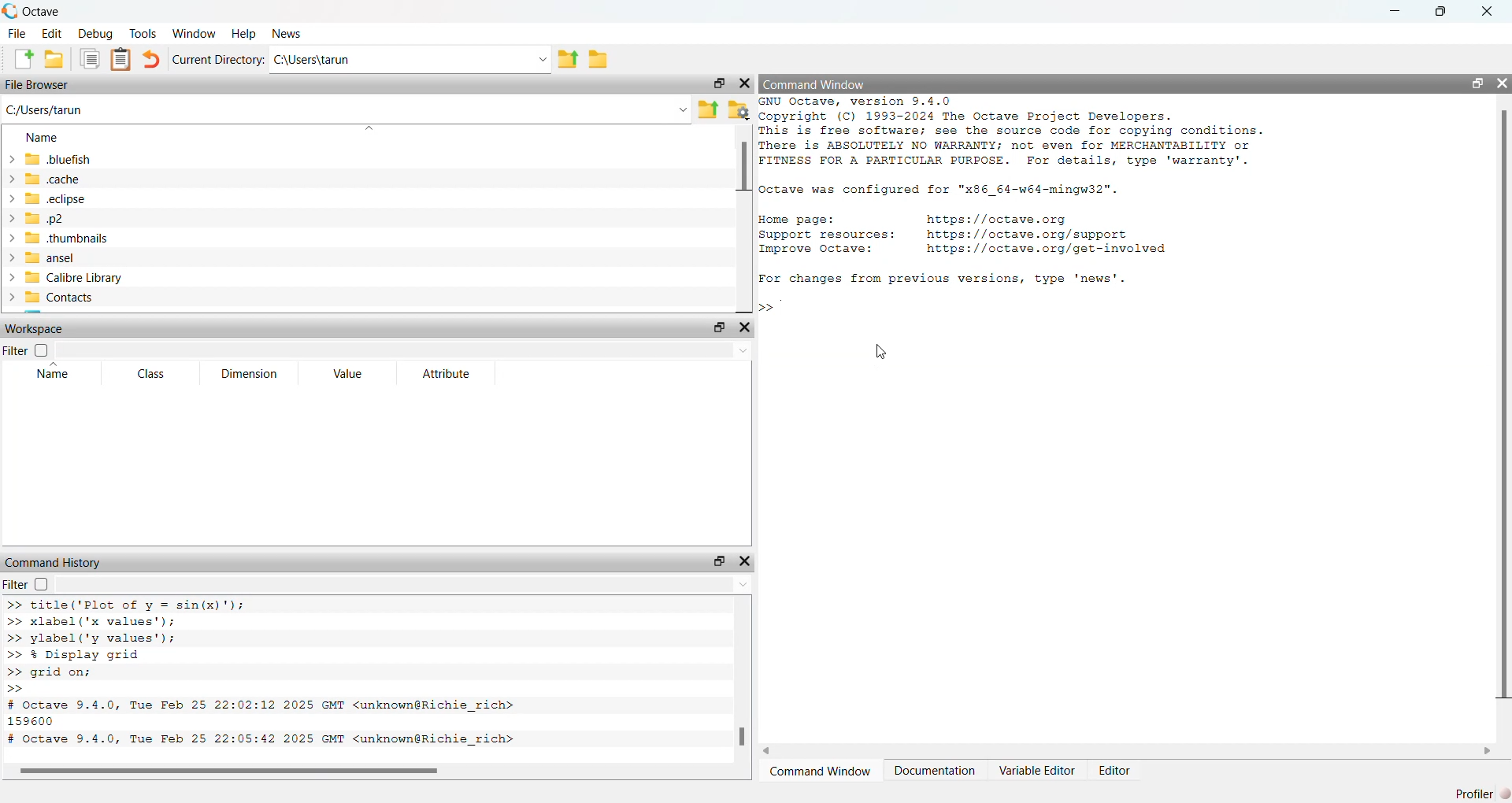  I want to click on Filter checkbox, so click(28, 350).